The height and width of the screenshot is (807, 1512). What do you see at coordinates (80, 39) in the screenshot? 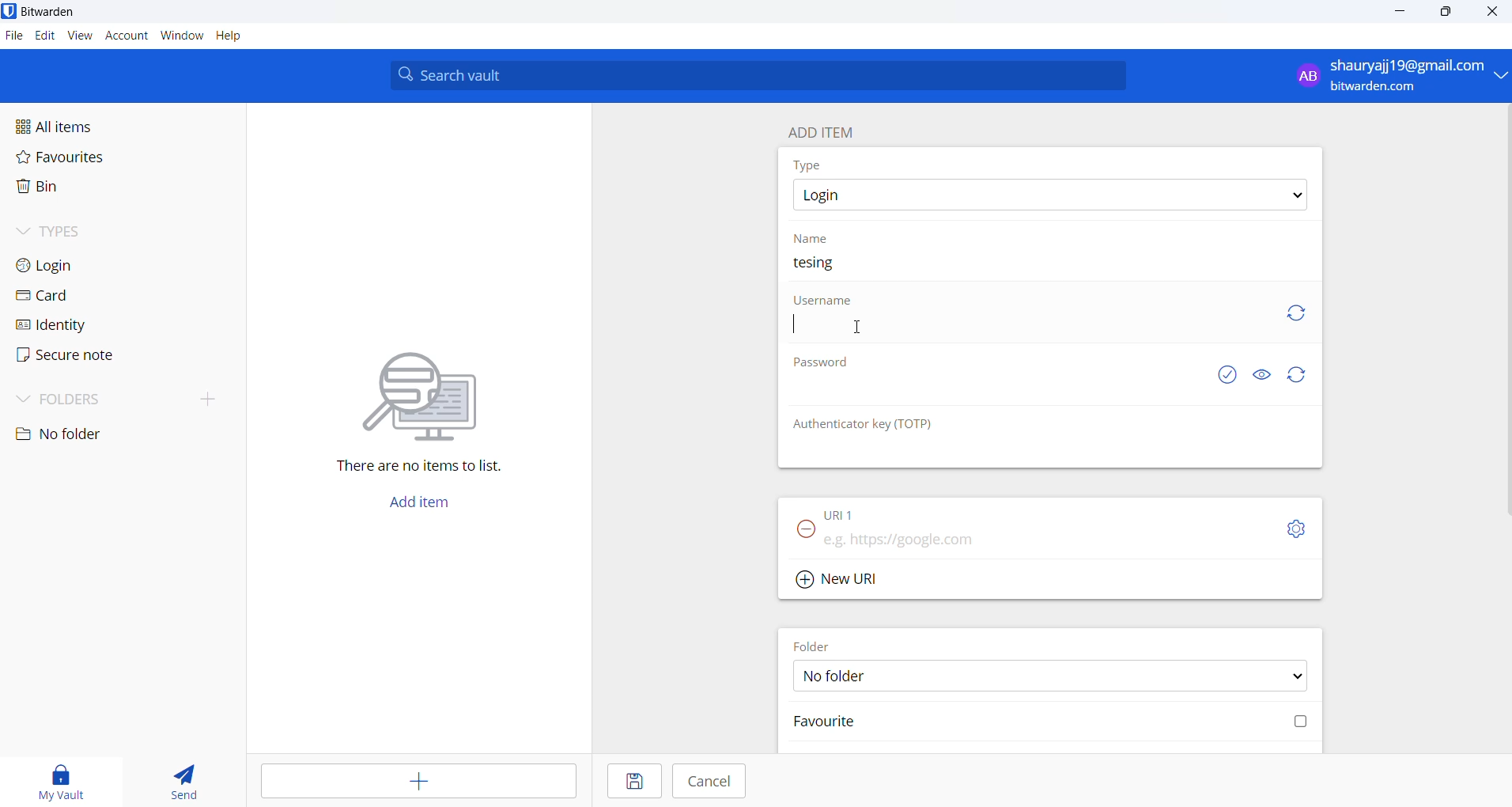
I see `view` at bounding box center [80, 39].